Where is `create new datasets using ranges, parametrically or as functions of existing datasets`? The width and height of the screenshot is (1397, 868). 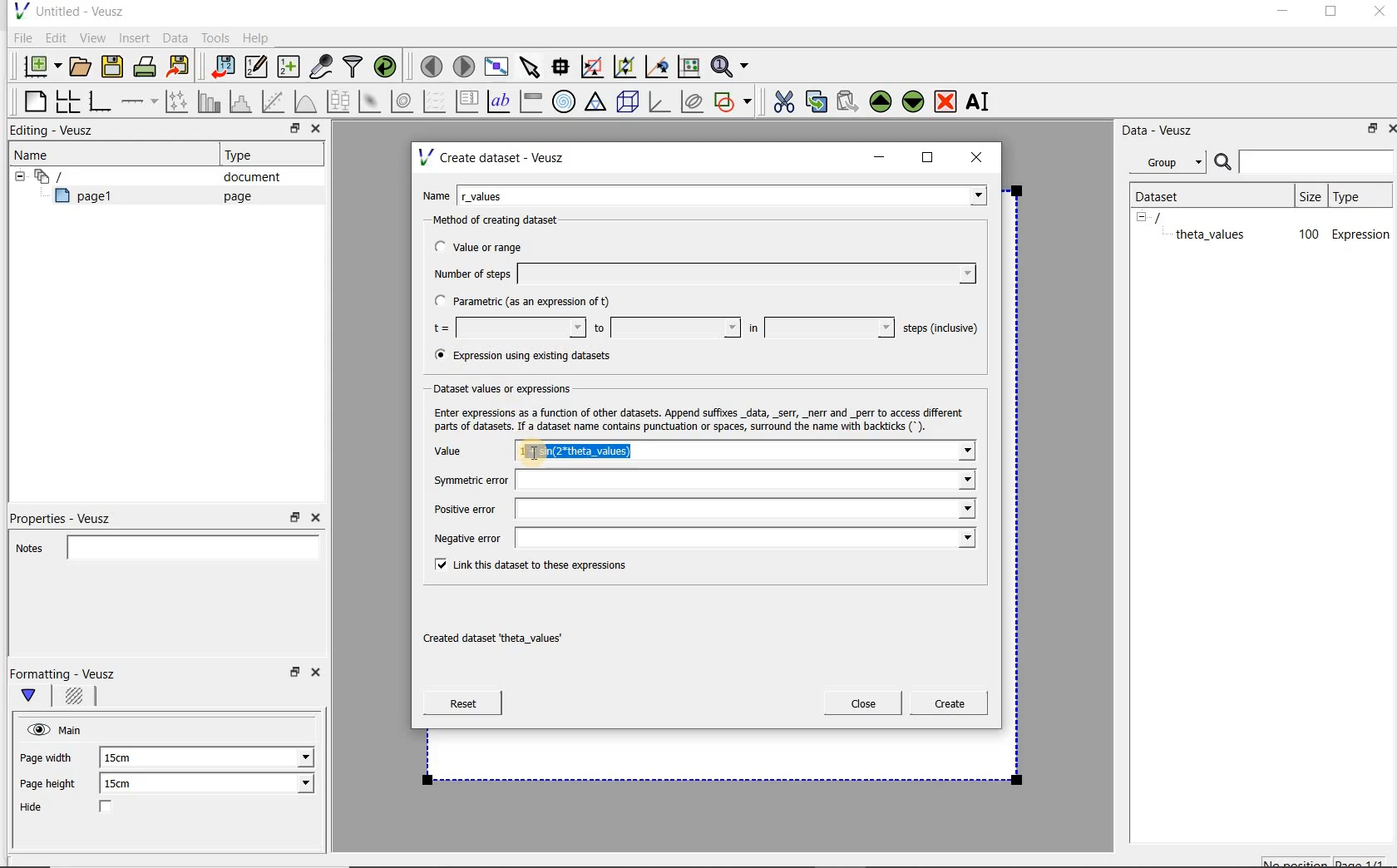
create new datasets using ranges, parametrically or as functions of existing datasets is located at coordinates (289, 67).